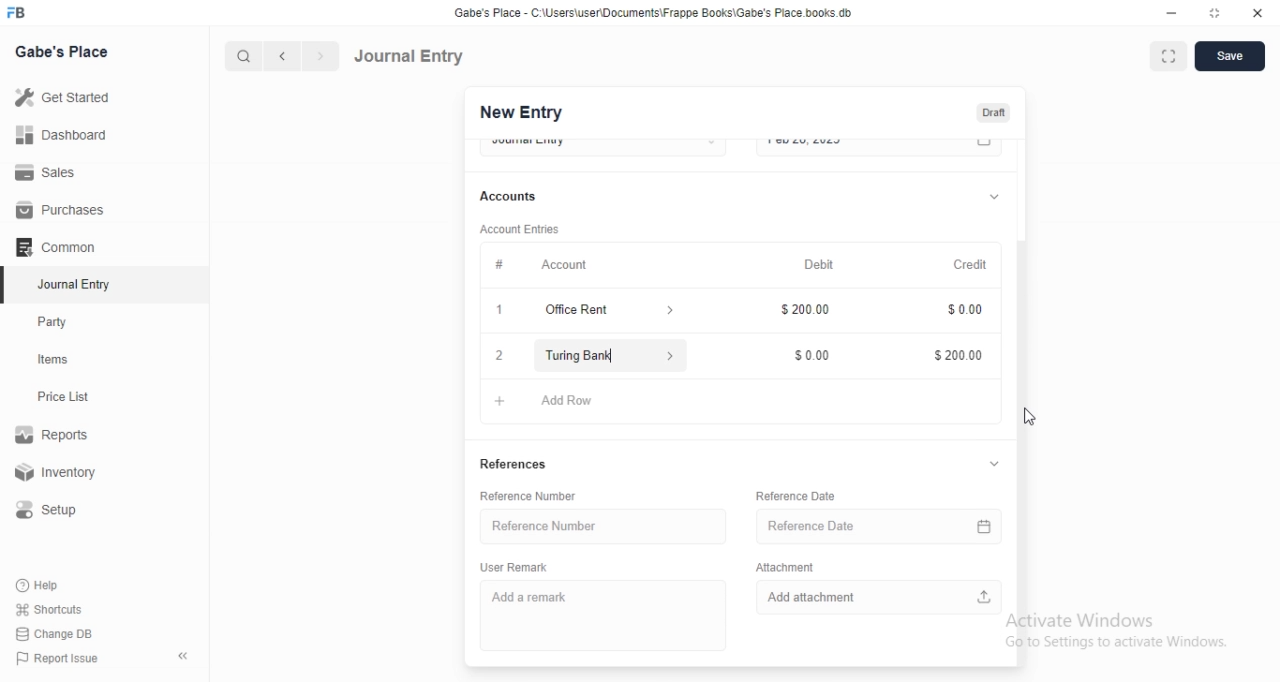 The image size is (1280, 682). What do you see at coordinates (669, 12) in the screenshot?
I see `‘Gabe's Place - C\UsersiuserDocuments\Frappe Books\Gabe's Place books db` at bounding box center [669, 12].